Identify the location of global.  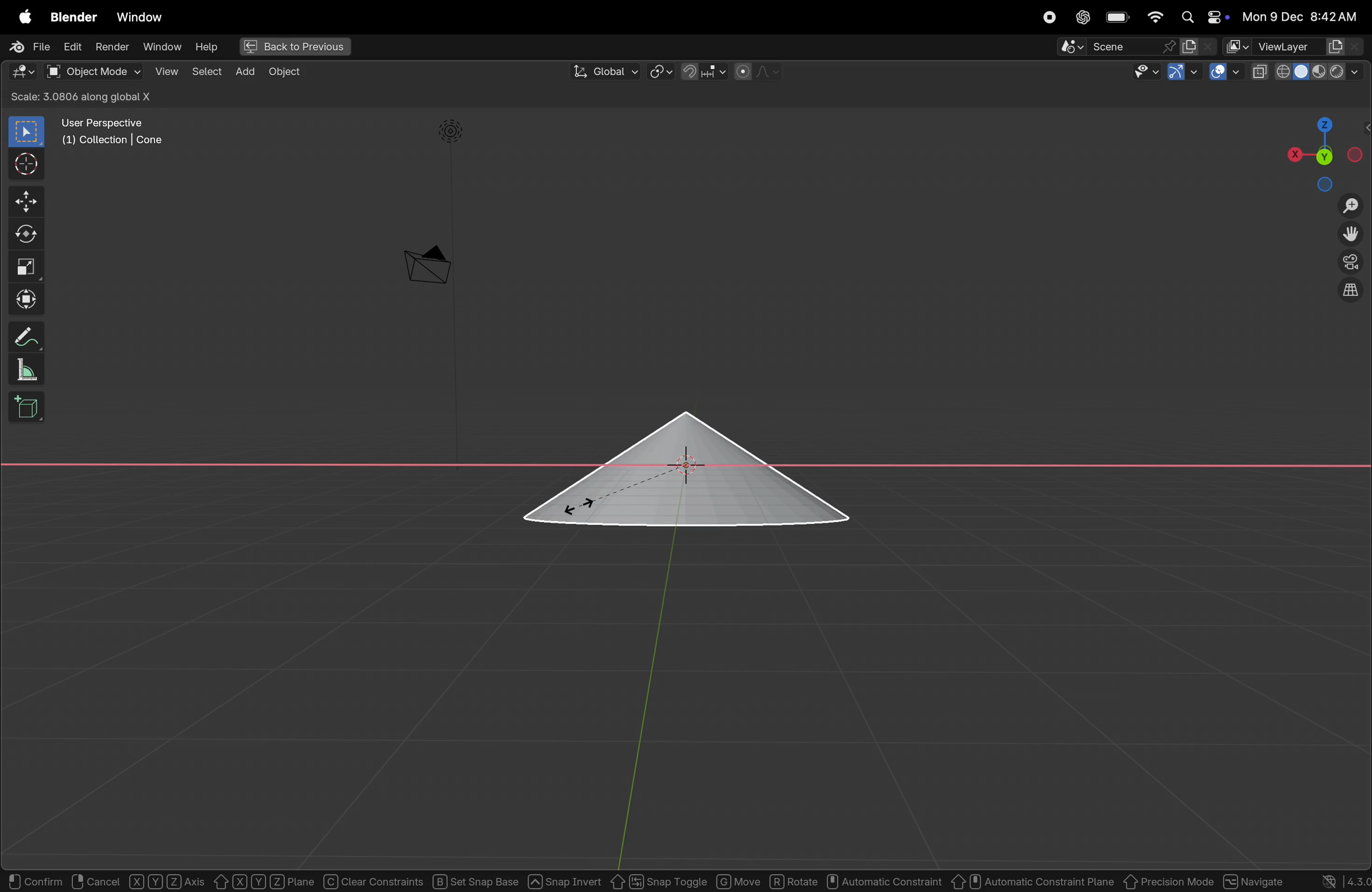
(605, 71).